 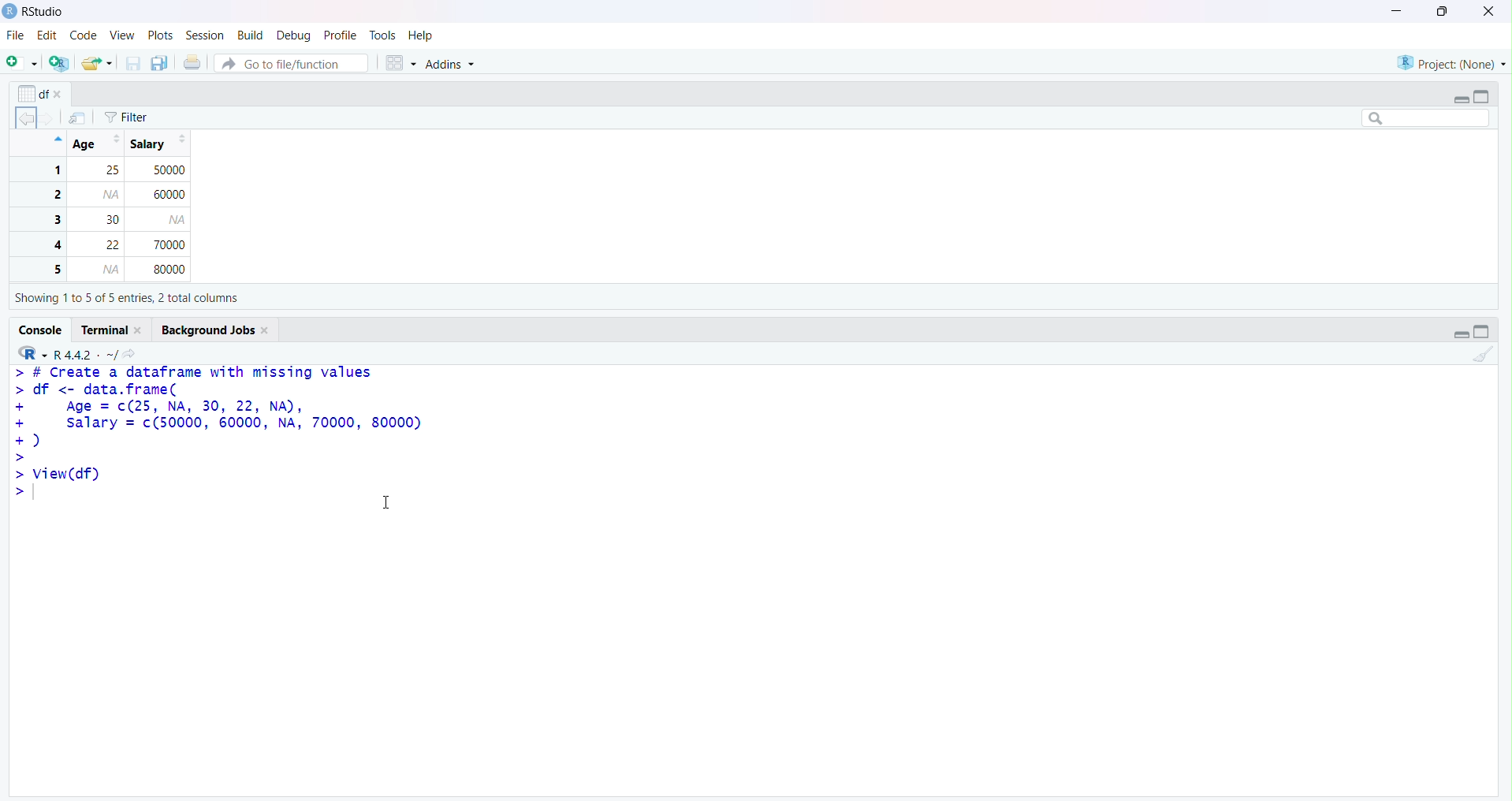 What do you see at coordinates (45, 91) in the screenshot?
I see `df` at bounding box center [45, 91].